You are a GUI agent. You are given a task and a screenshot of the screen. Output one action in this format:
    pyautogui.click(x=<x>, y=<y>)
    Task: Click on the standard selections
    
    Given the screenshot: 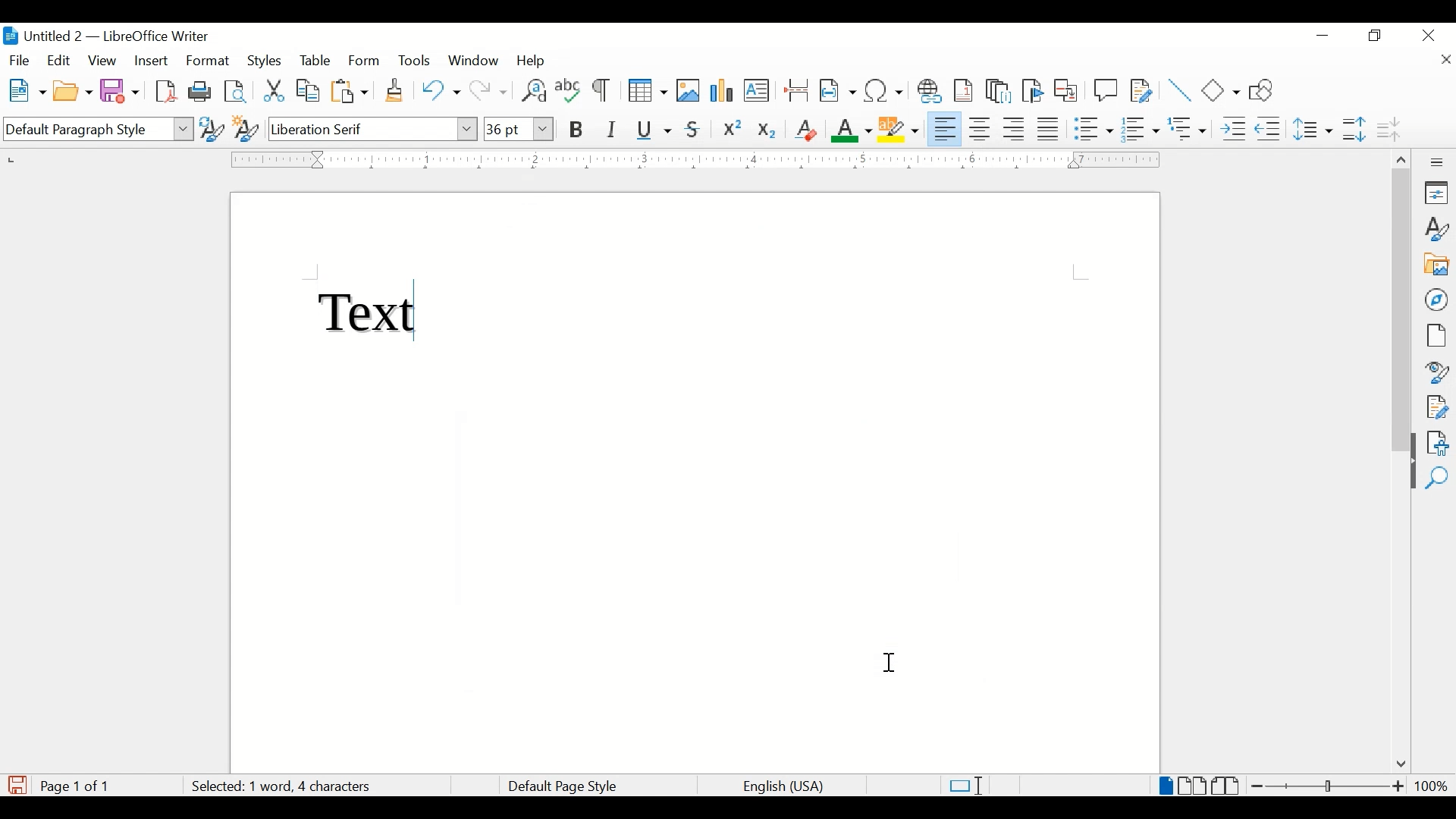 What is the action you would take?
    pyautogui.click(x=965, y=785)
    